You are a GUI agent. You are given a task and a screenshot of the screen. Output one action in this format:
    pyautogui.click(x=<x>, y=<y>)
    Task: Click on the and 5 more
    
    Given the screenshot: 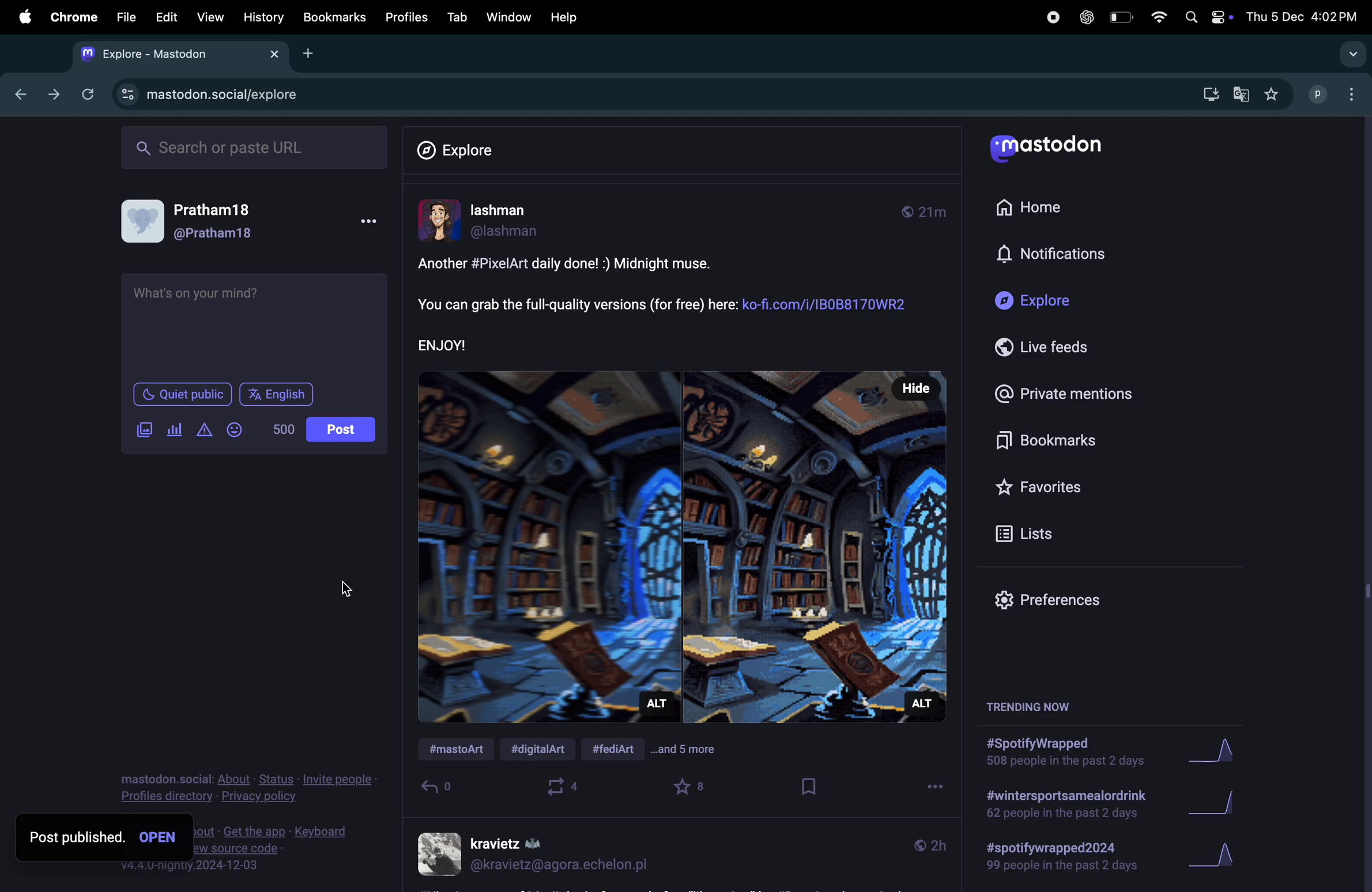 What is the action you would take?
    pyautogui.click(x=695, y=753)
    